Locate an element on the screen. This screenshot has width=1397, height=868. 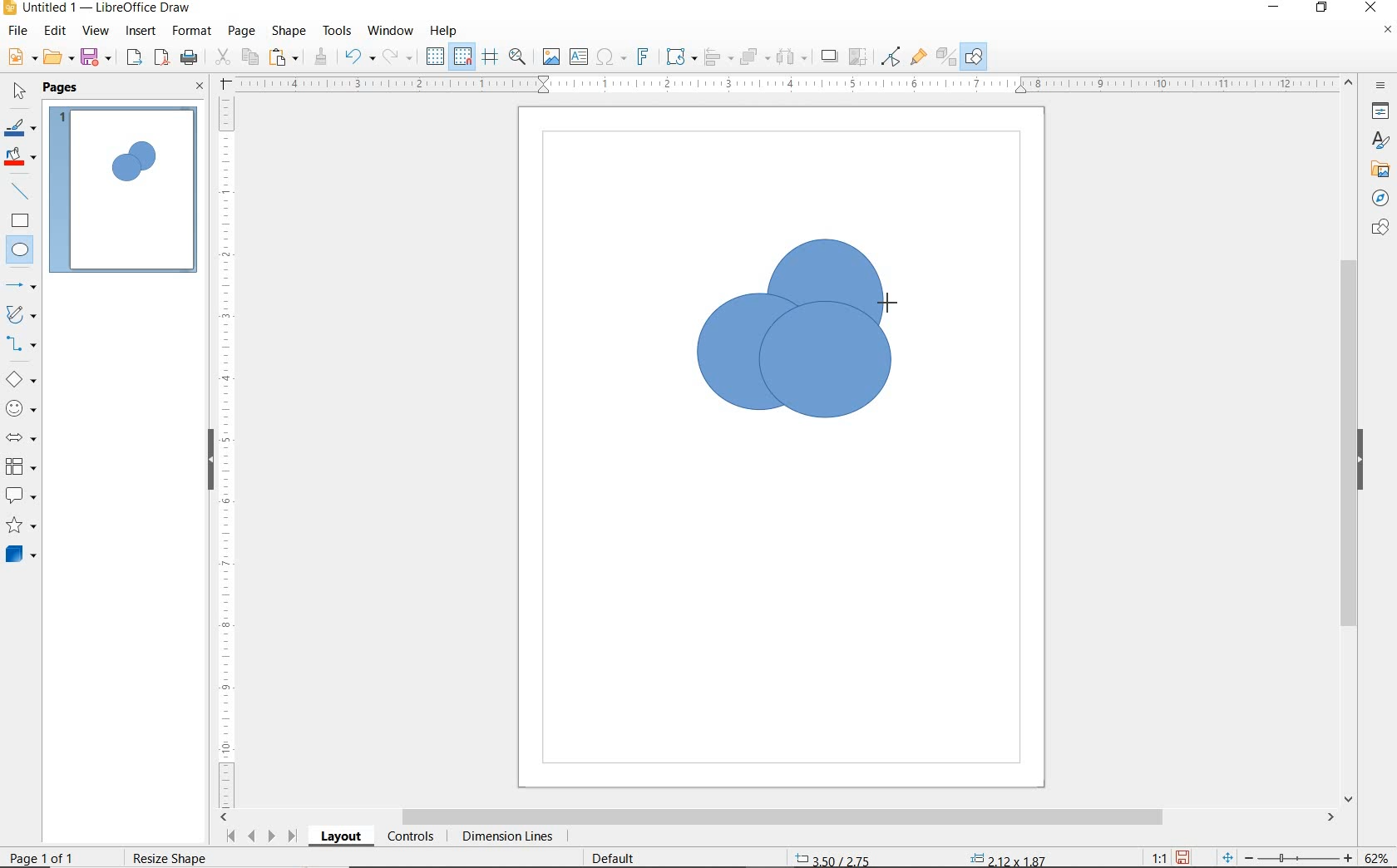
TOGGLE POINT EDIT MODE is located at coordinates (891, 57).